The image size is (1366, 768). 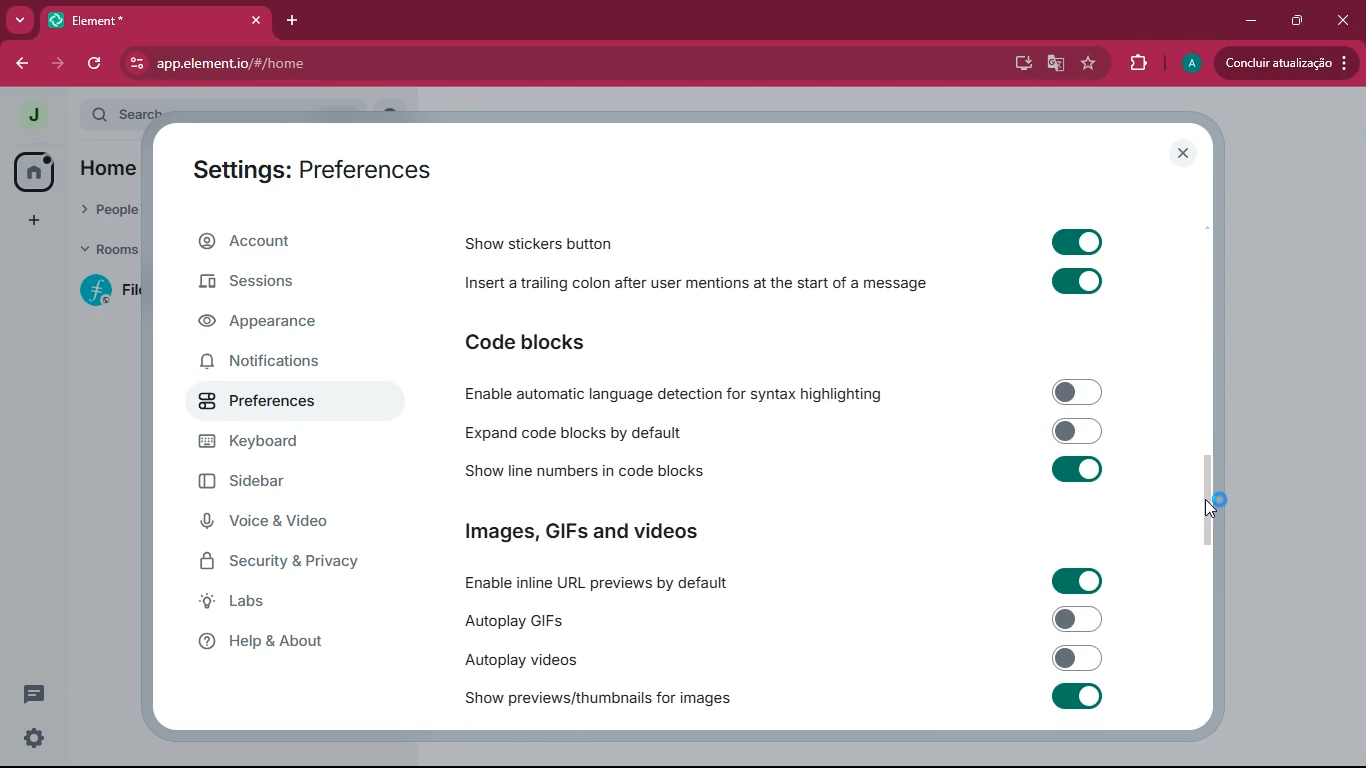 I want to click on forward, so click(x=56, y=65).